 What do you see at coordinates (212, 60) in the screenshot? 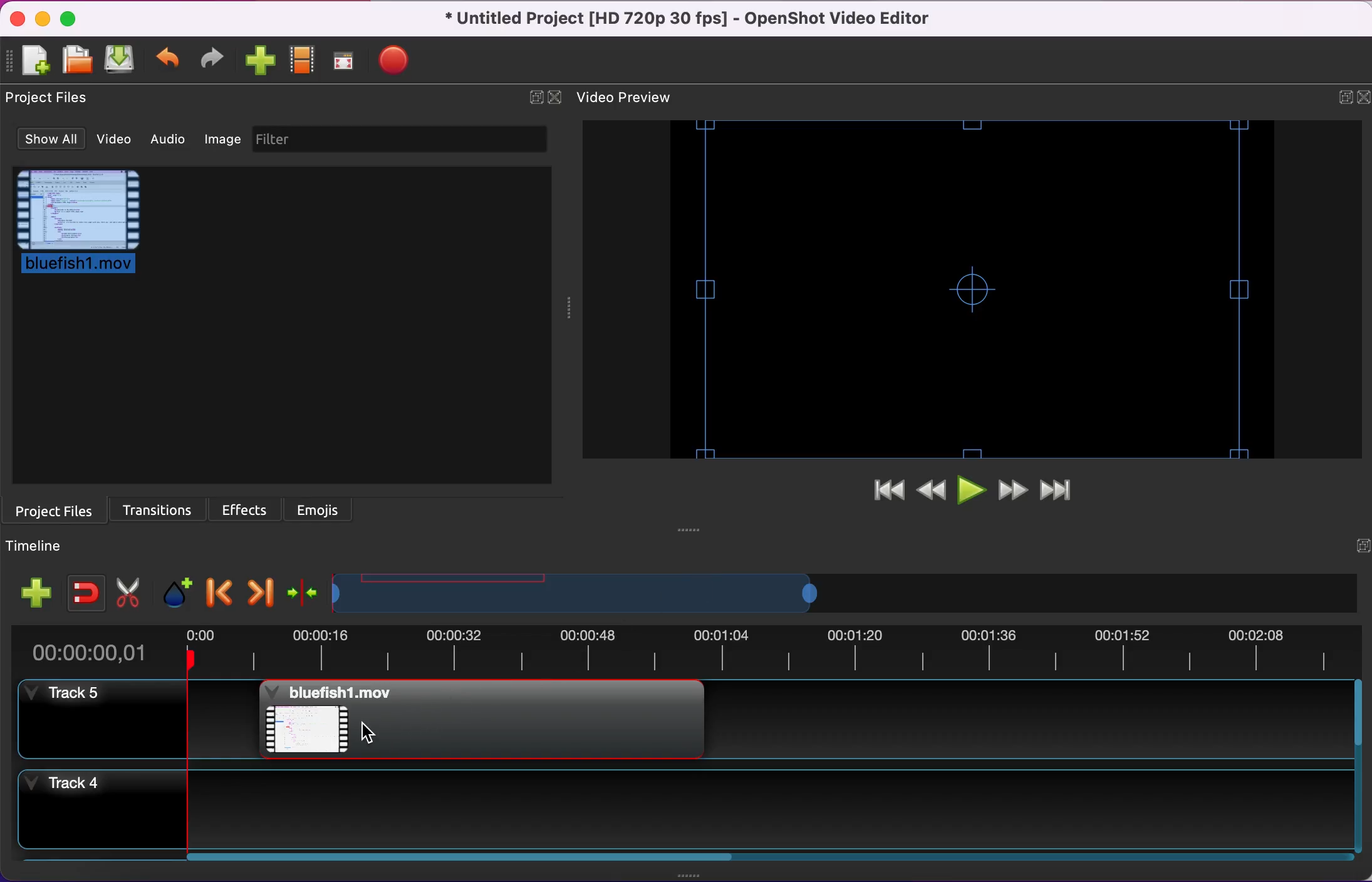
I see `redo` at bounding box center [212, 60].